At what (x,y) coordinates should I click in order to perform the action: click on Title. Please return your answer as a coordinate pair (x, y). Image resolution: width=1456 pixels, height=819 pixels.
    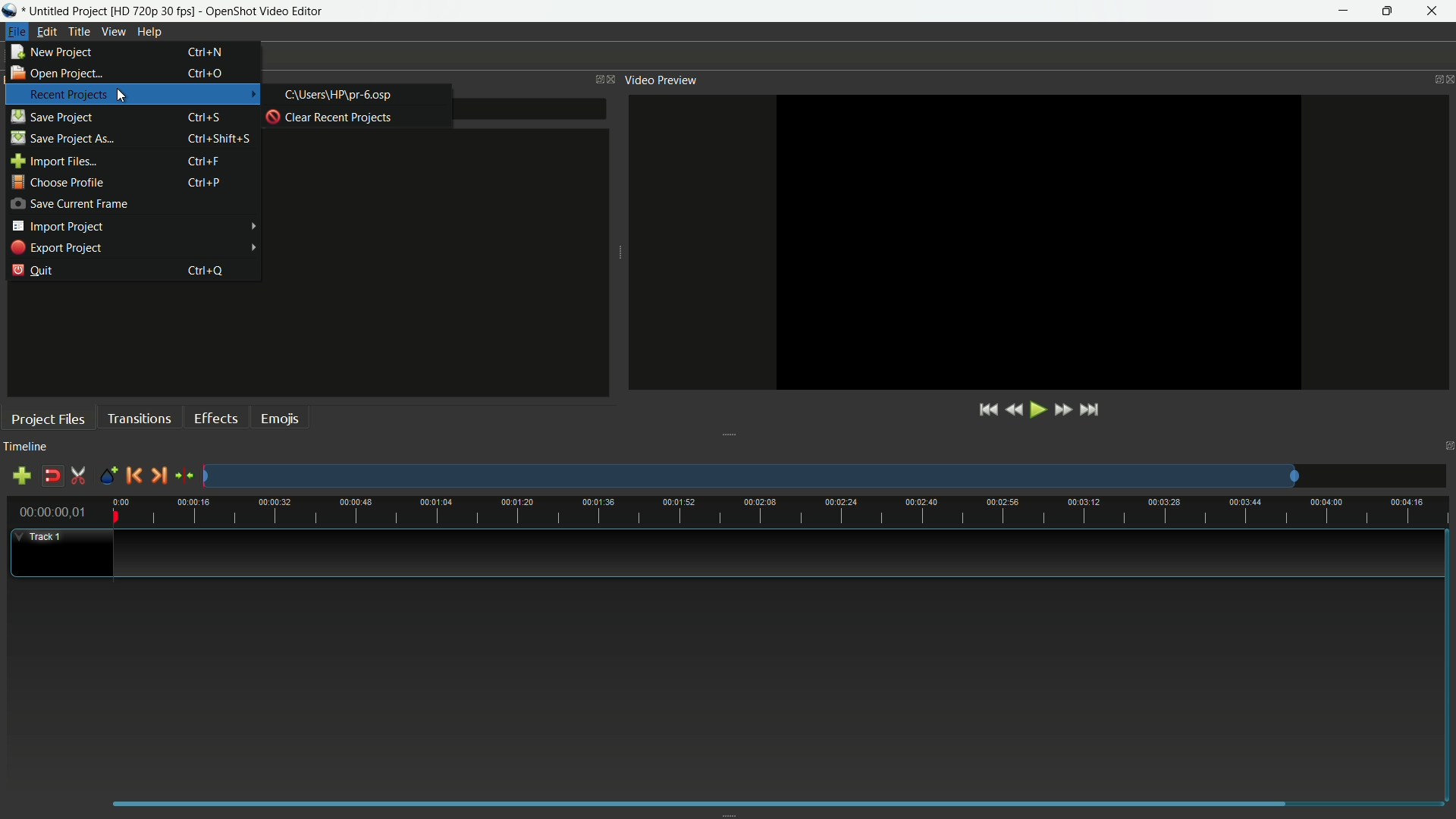
    Looking at the image, I should click on (80, 33).